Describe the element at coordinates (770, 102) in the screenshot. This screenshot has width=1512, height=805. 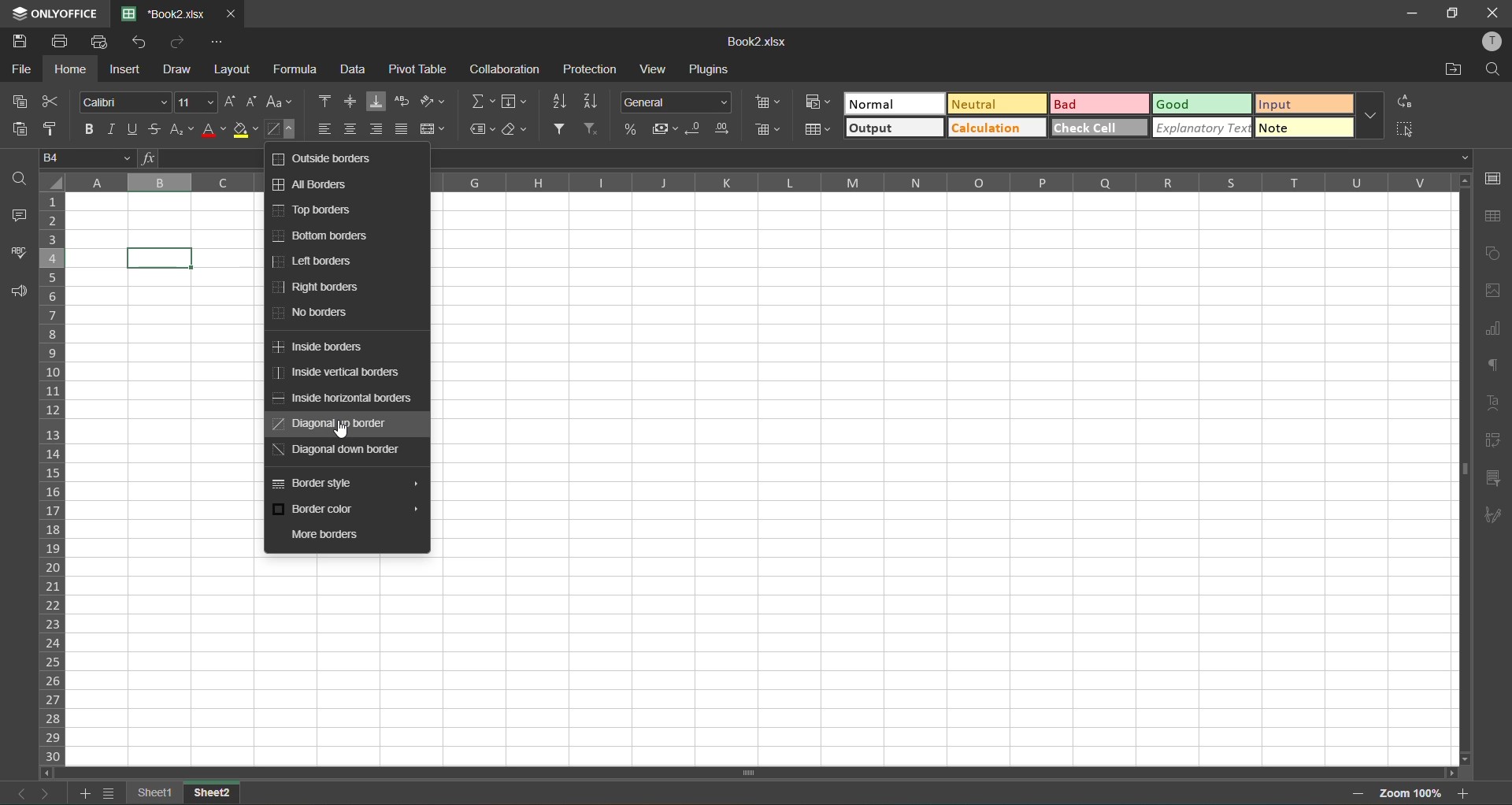
I see `insert cells` at that location.